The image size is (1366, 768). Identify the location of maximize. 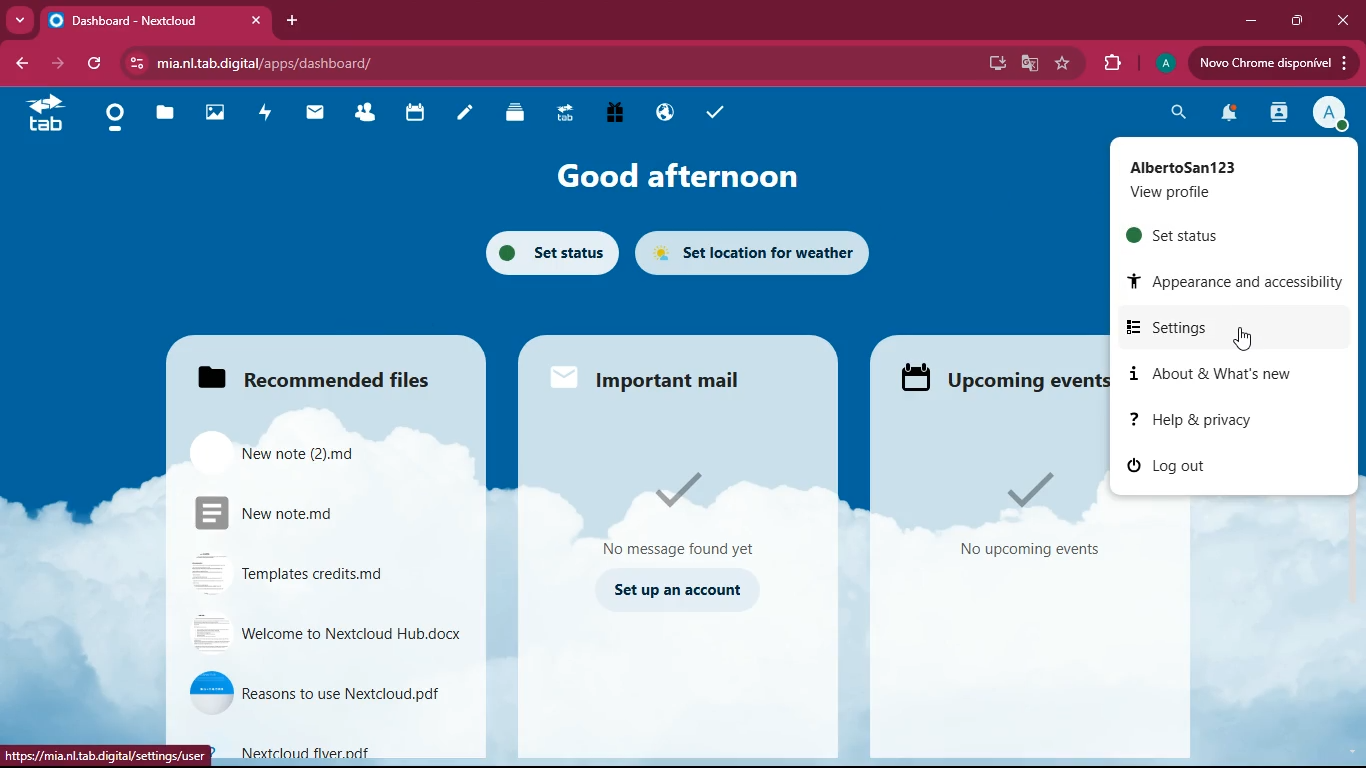
(1292, 21).